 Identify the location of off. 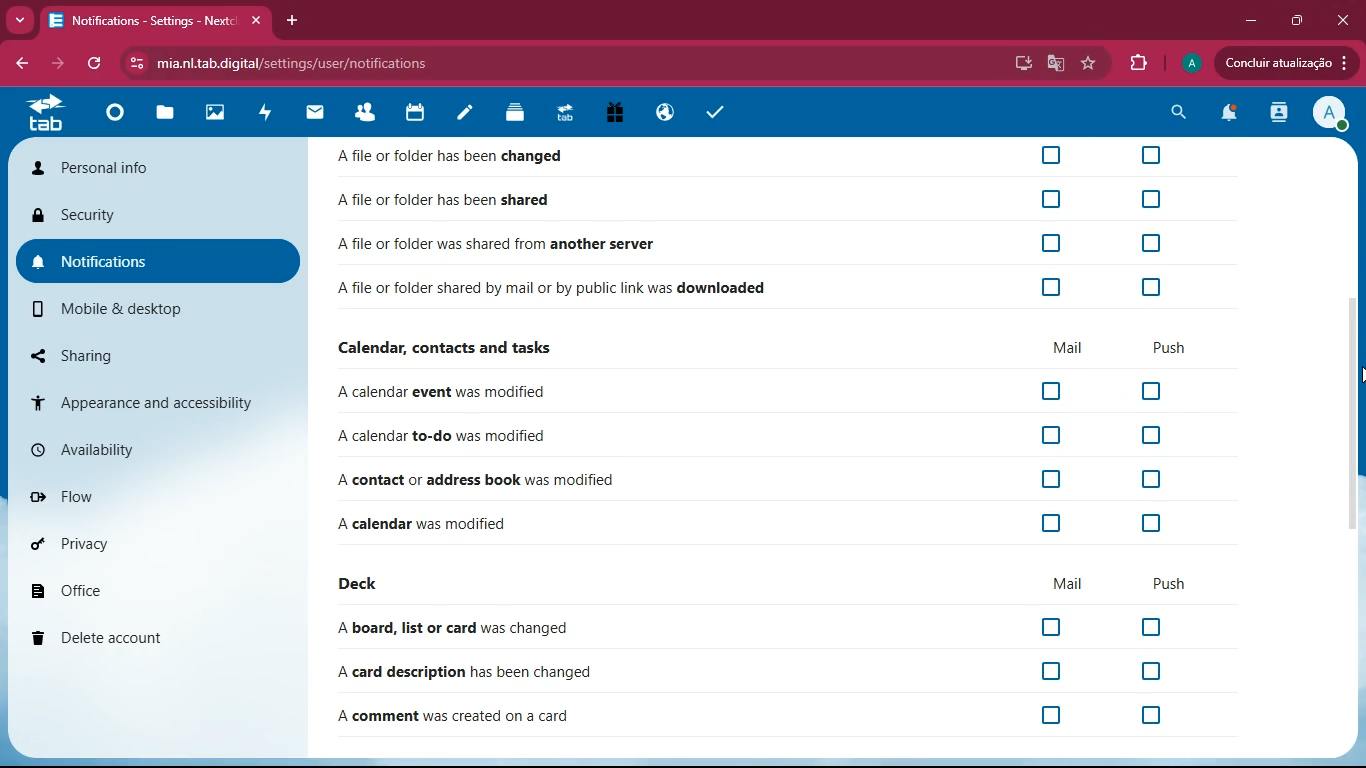
(1155, 717).